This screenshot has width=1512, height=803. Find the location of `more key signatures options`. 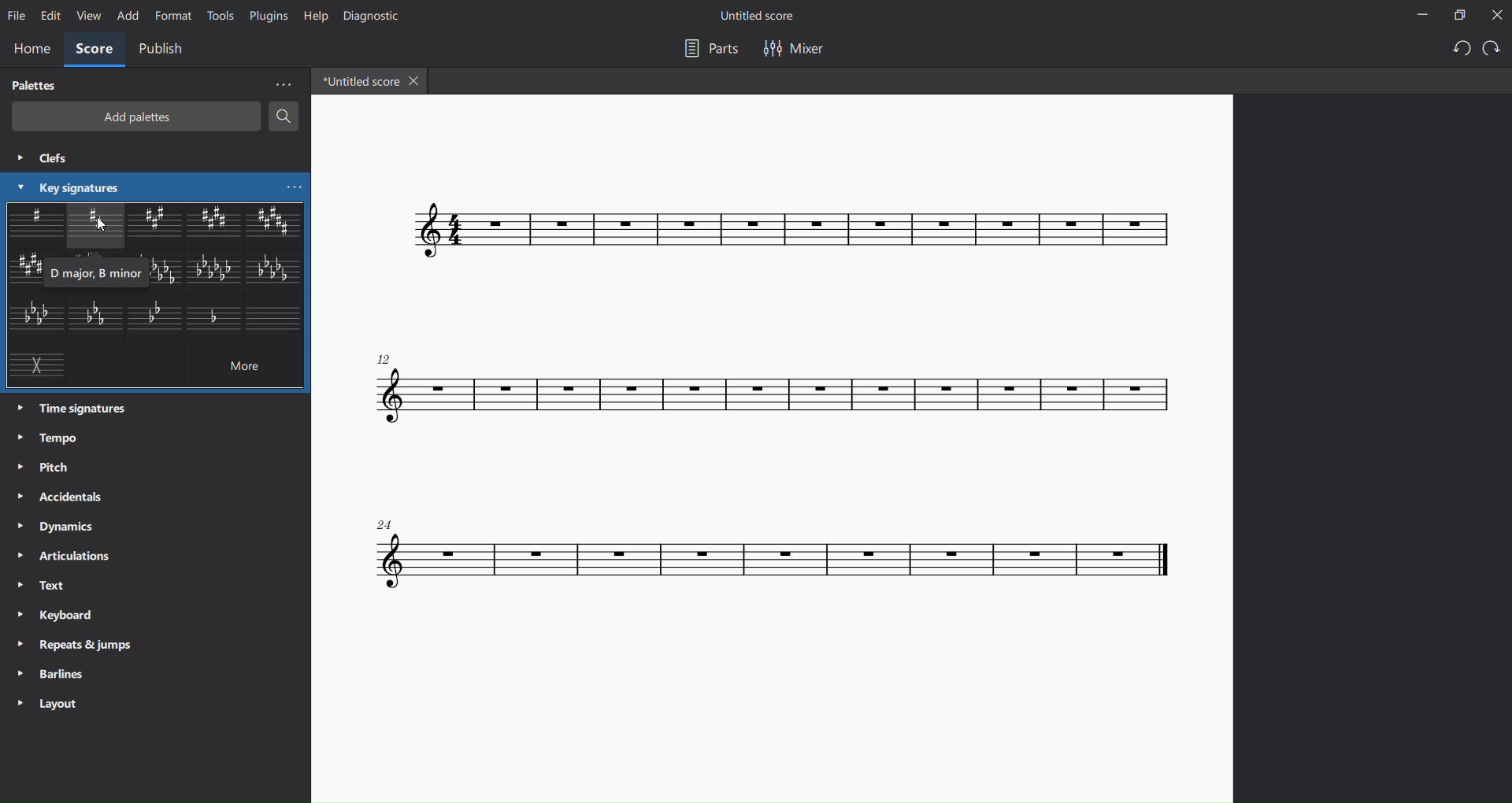

more key signatures options is located at coordinates (296, 191).